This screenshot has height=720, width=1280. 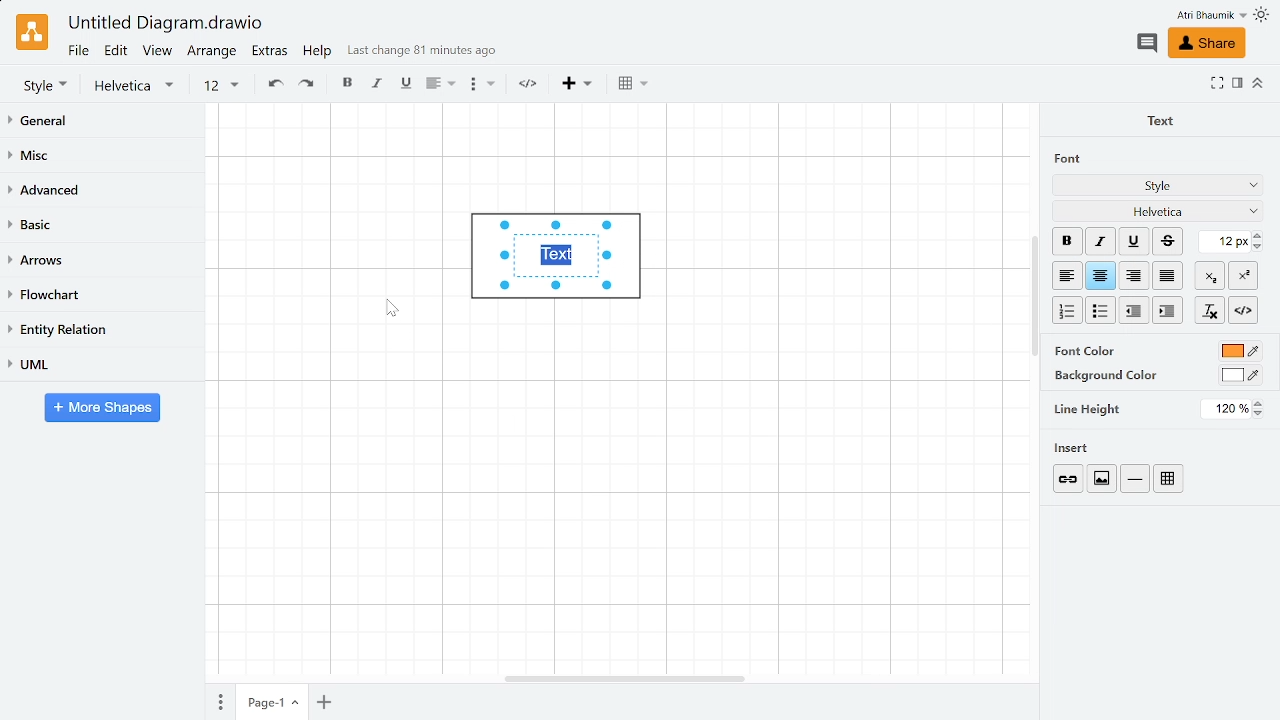 I want to click on Strikethrough, so click(x=1168, y=241).